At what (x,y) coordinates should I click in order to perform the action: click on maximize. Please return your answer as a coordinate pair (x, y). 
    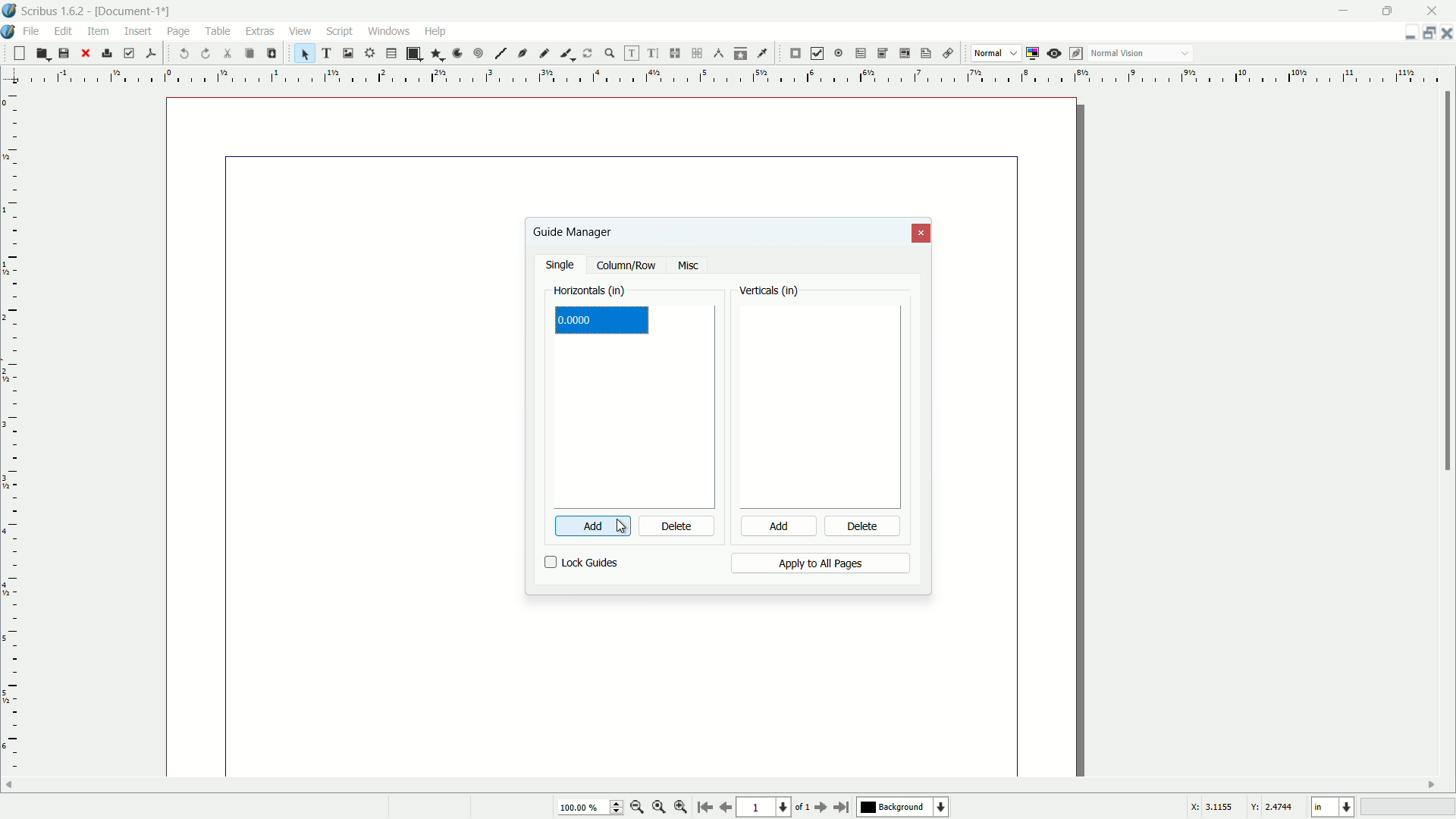
    Looking at the image, I should click on (1390, 10).